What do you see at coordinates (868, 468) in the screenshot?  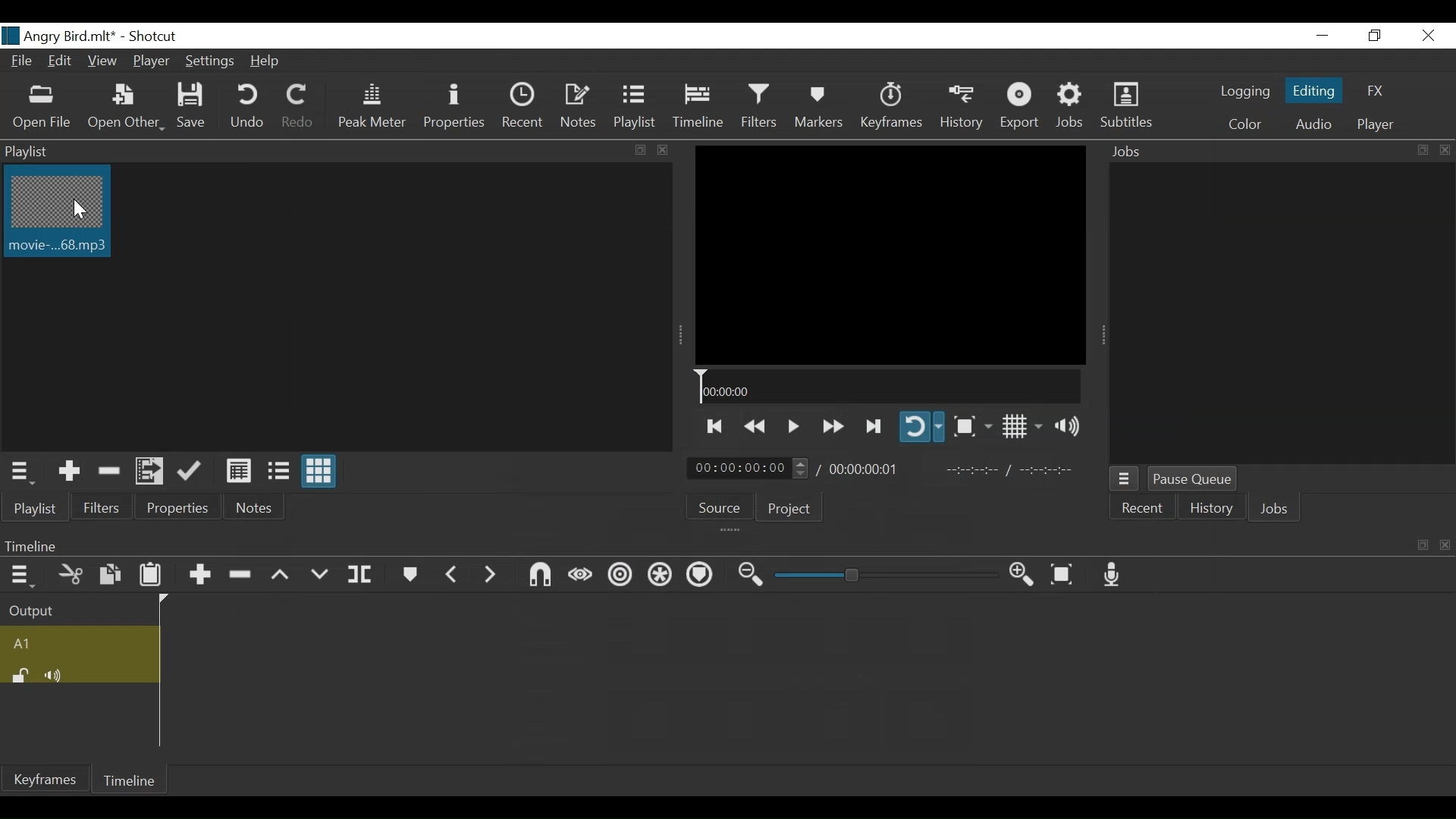 I see `Total Duration` at bounding box center [868, 468].